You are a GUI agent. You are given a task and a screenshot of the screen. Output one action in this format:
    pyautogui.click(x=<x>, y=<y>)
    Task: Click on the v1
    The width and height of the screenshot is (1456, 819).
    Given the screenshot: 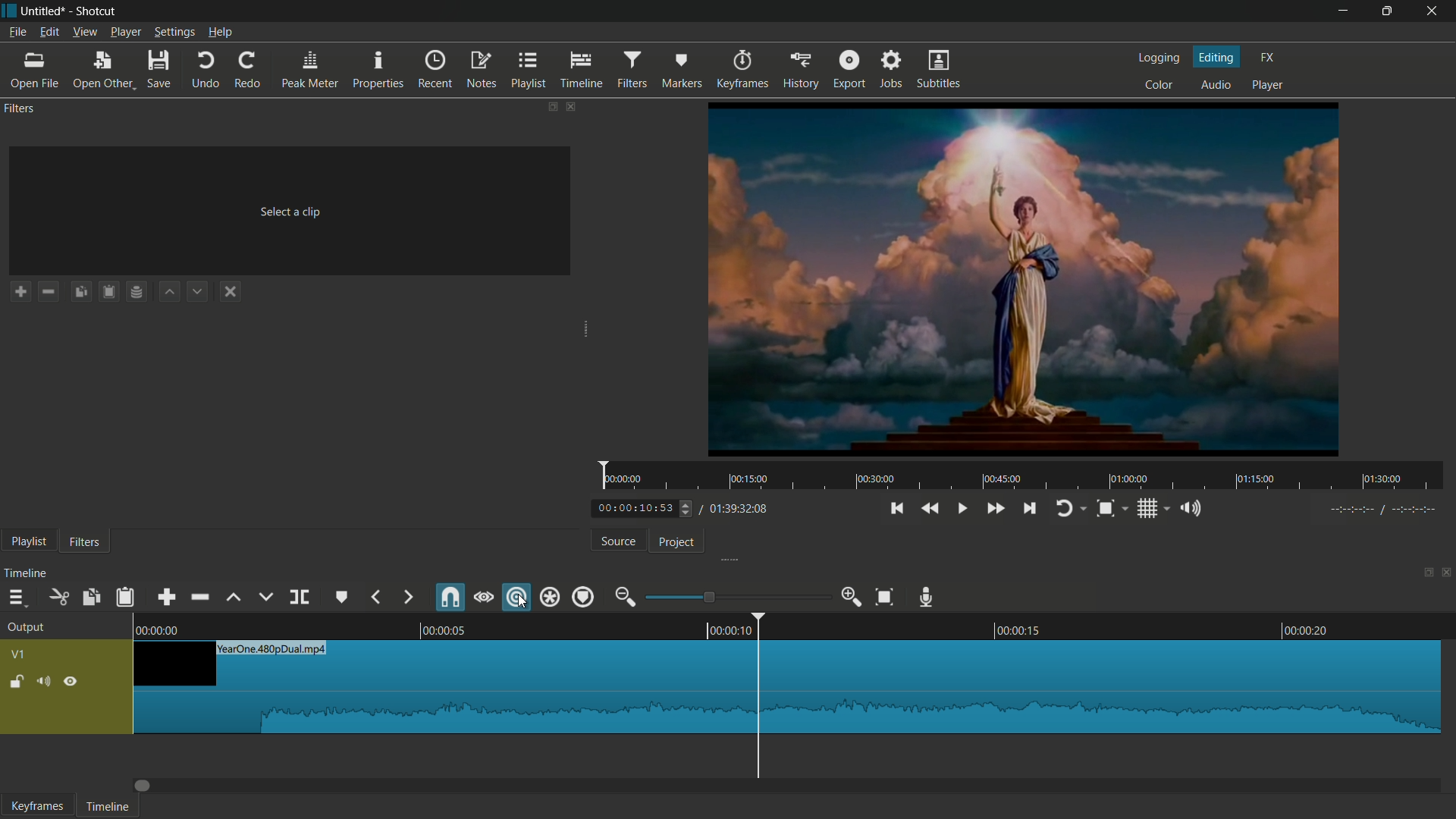 What is the action you would take?
    pyautogui.click(x=20, y=654)
    